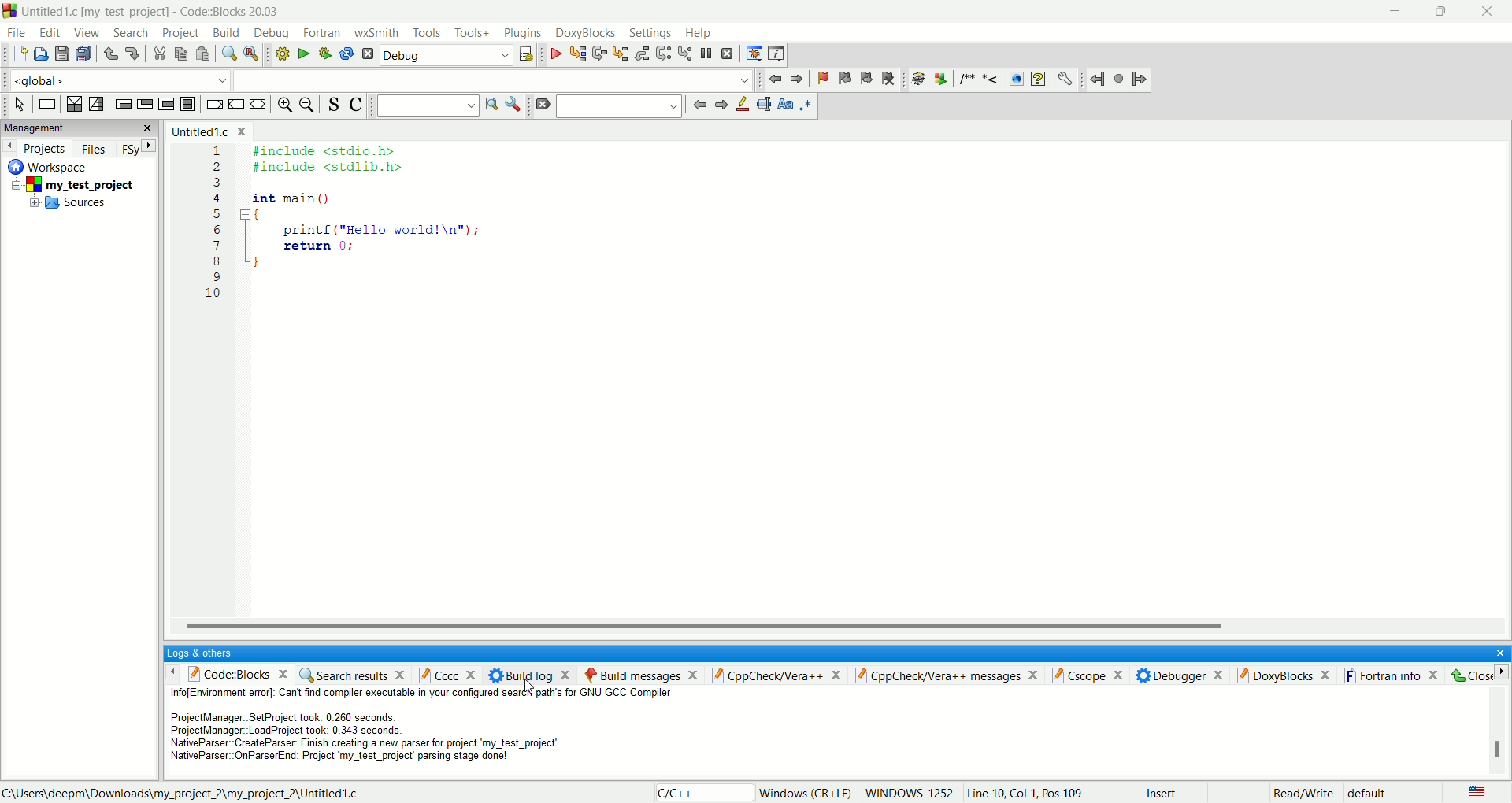  What do you see at coordinates (169, 105) in the screenshot?
I see `counting loop` at bounding box center [169, 105].